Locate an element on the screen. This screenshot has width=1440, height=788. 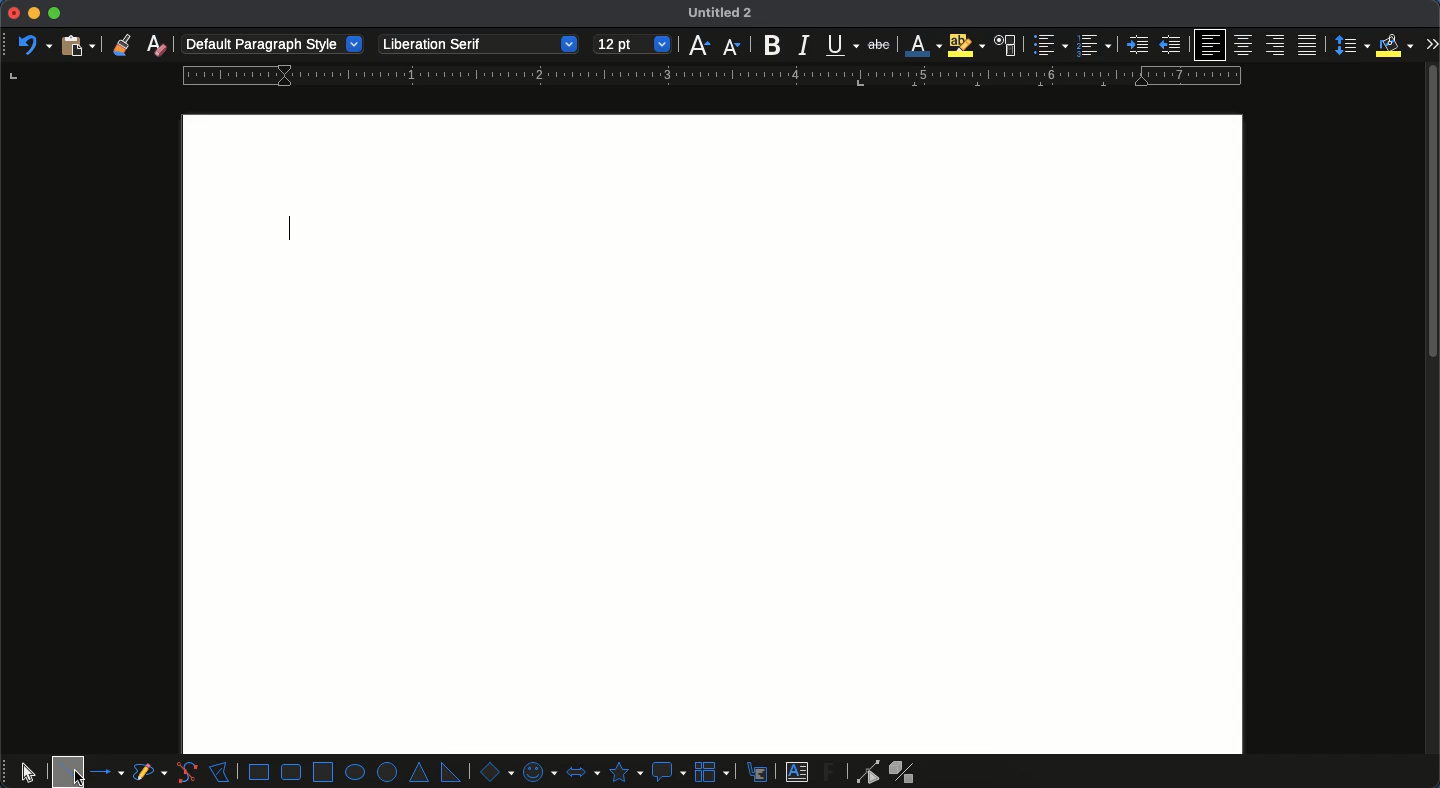
left align is located at coordinates (1210, 44).